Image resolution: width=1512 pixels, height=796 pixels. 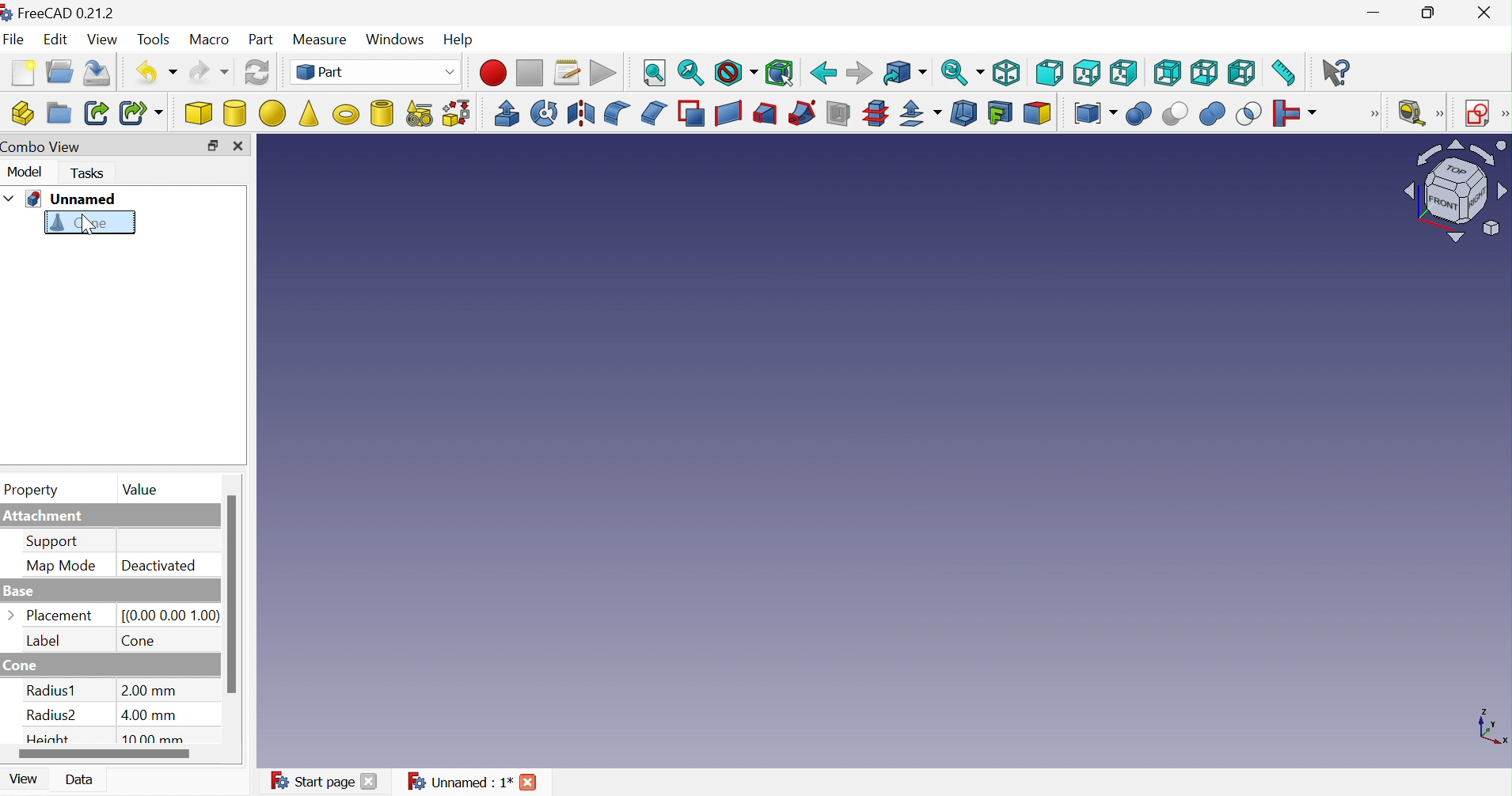 What do you see at coordinates (493, 73) in the screenshot?
I see `Macro recording` at bounding box center [493, 73].